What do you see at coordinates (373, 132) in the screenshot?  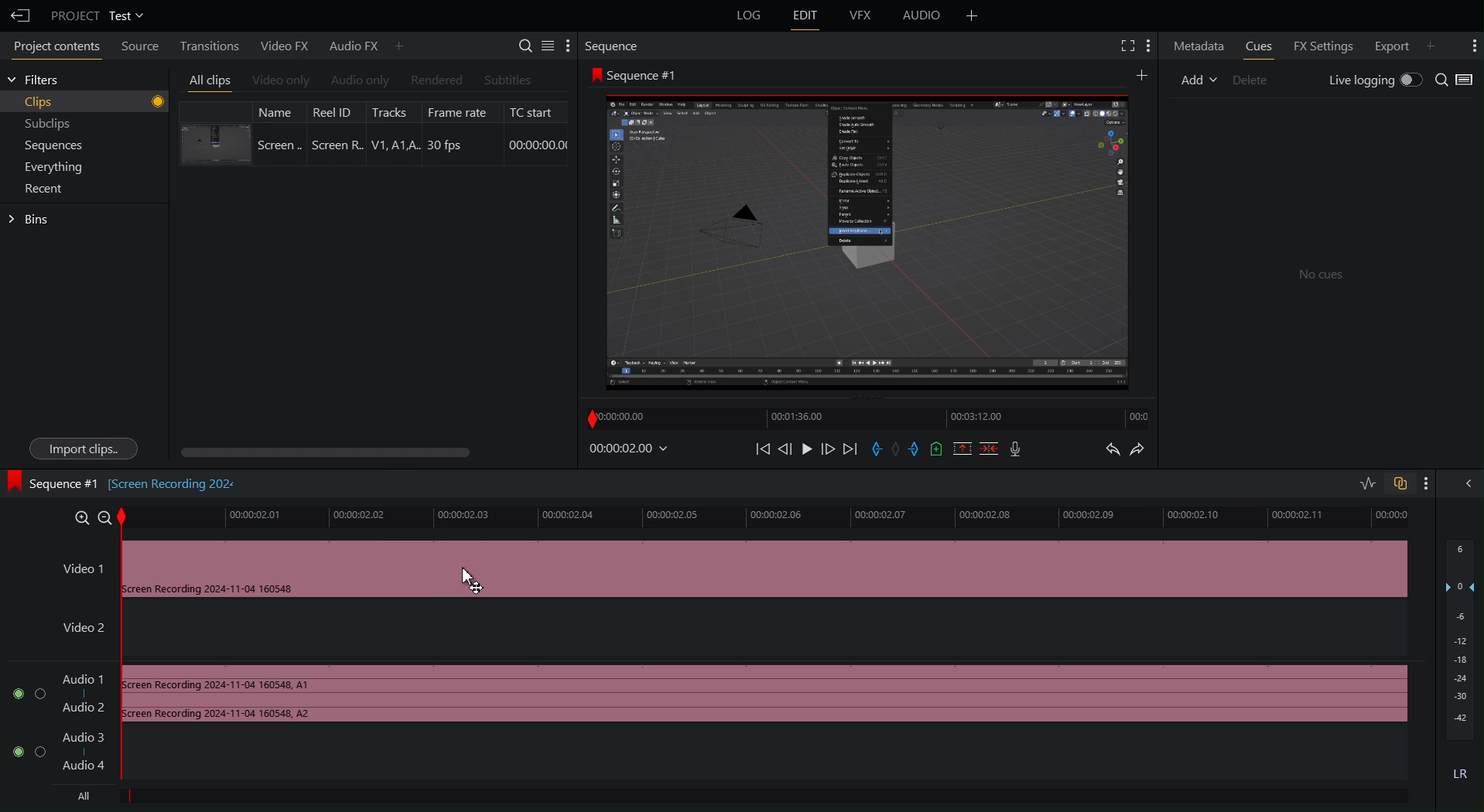 I see `Clip` at bounding box center [373, 132].